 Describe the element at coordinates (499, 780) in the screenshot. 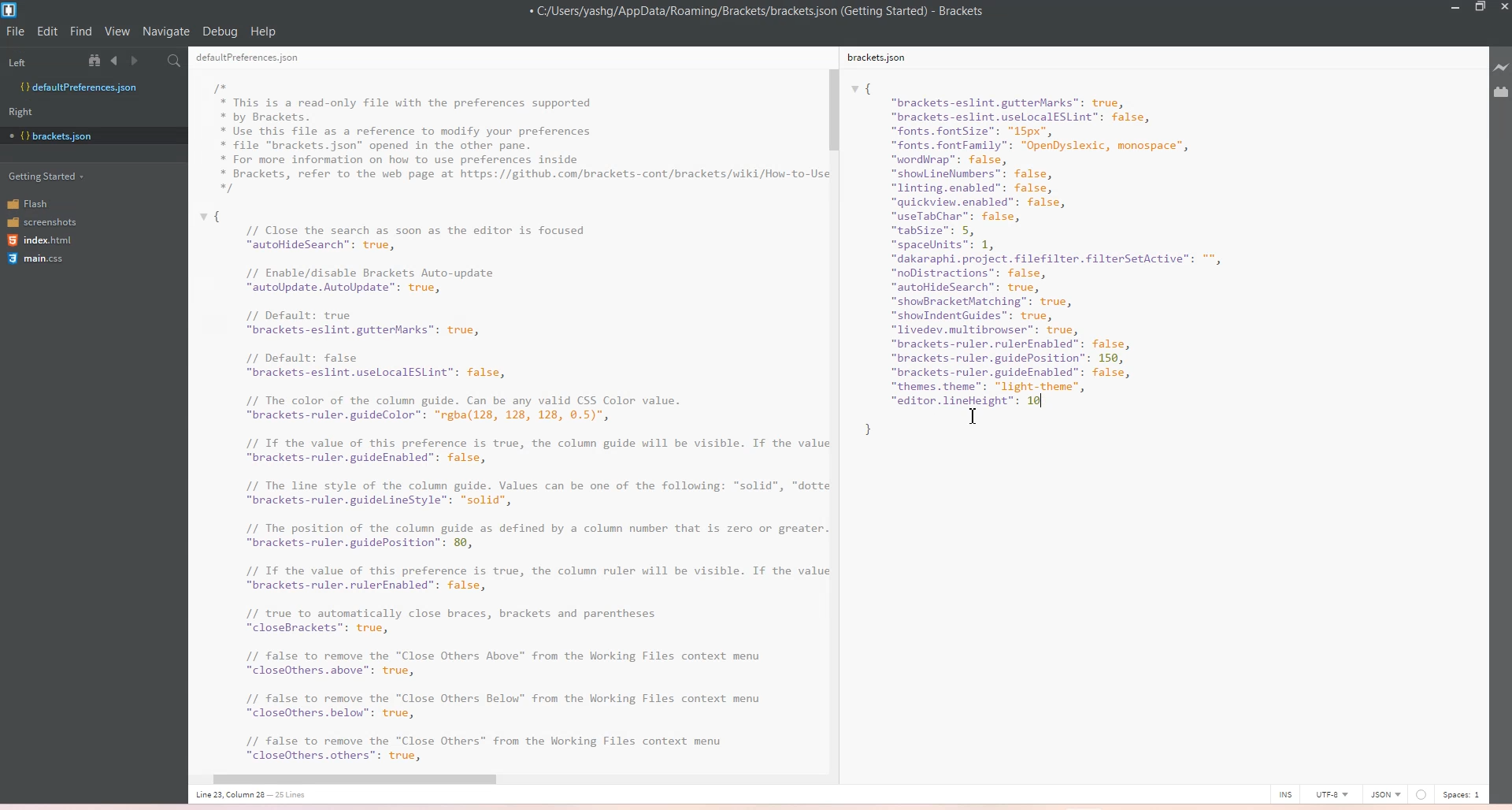

I see `Horizontal scroll bar` at that location.